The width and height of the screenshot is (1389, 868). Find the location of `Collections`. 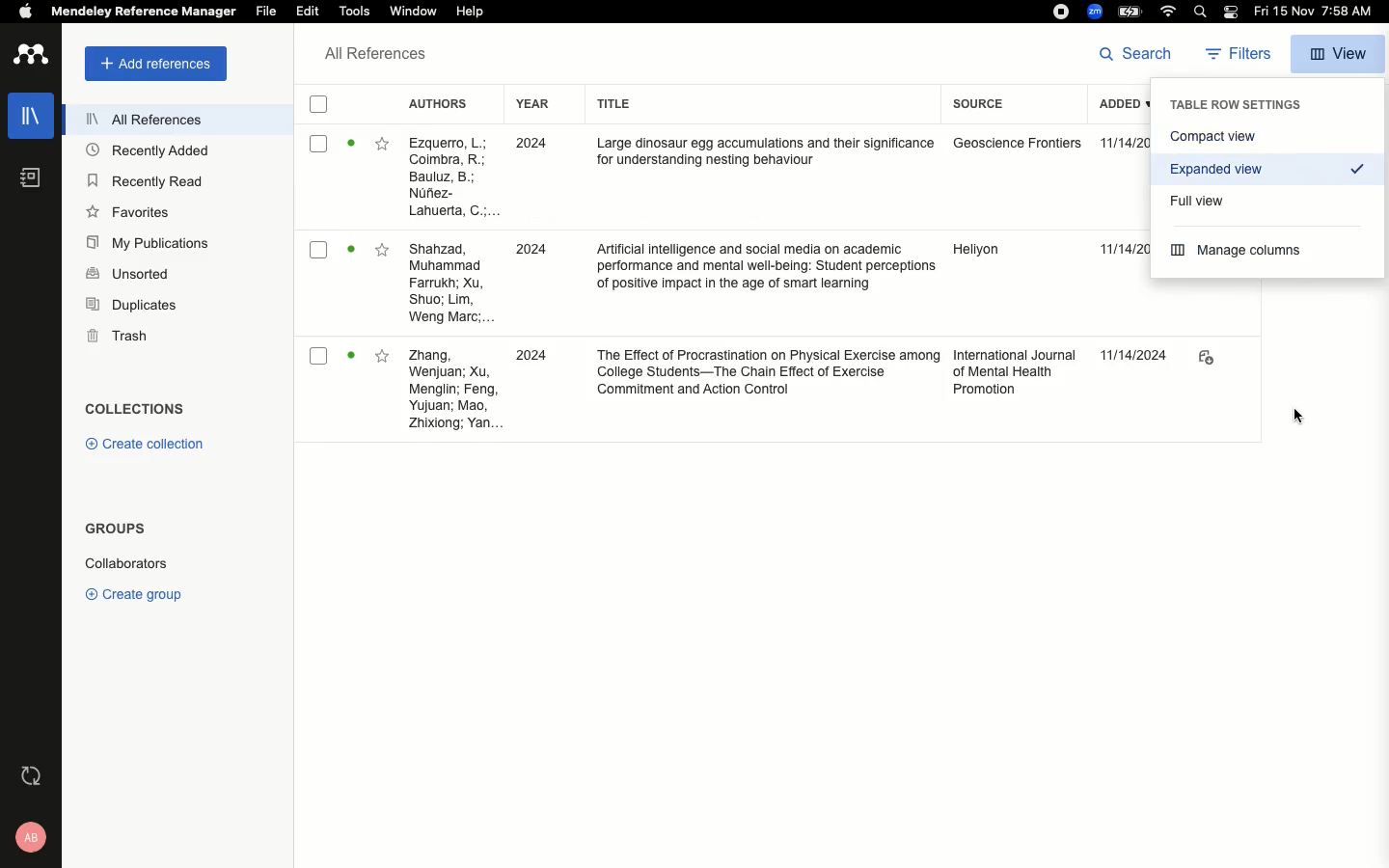

Collections is located at coordinates (134, 408).